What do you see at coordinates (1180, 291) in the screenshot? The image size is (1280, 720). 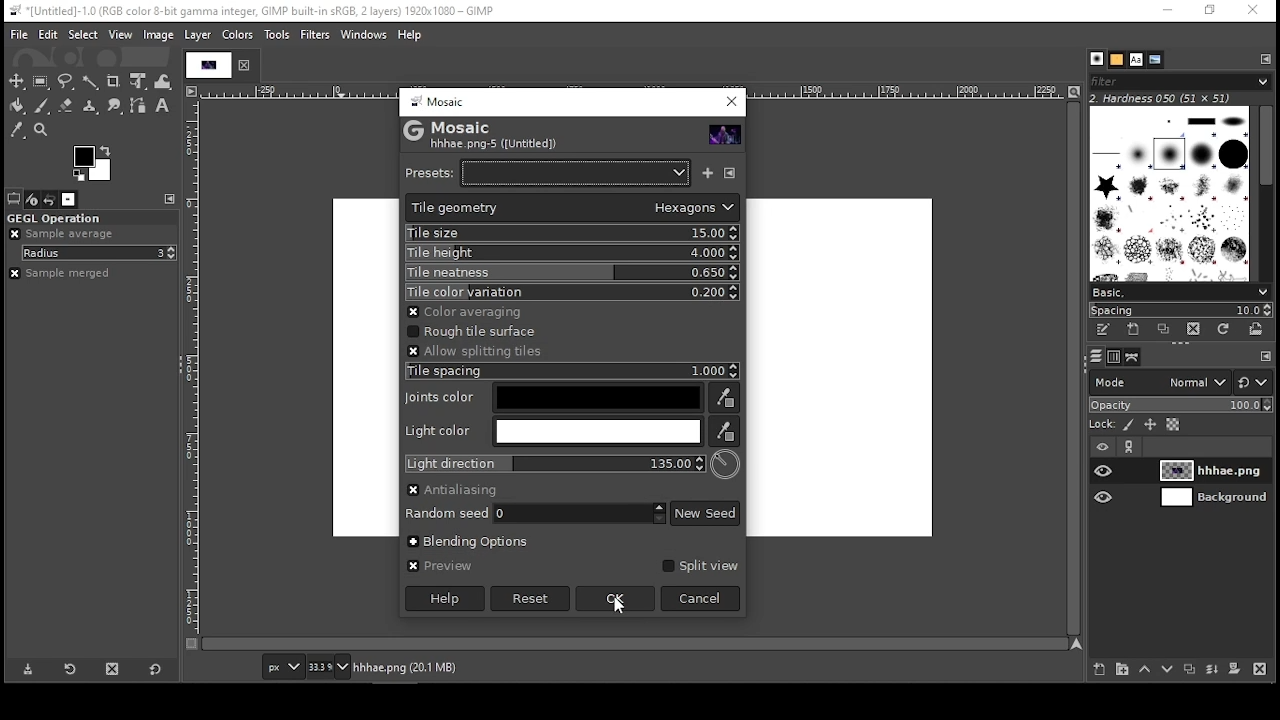 I see `select brush preset` at bounding box center [1180, 291].